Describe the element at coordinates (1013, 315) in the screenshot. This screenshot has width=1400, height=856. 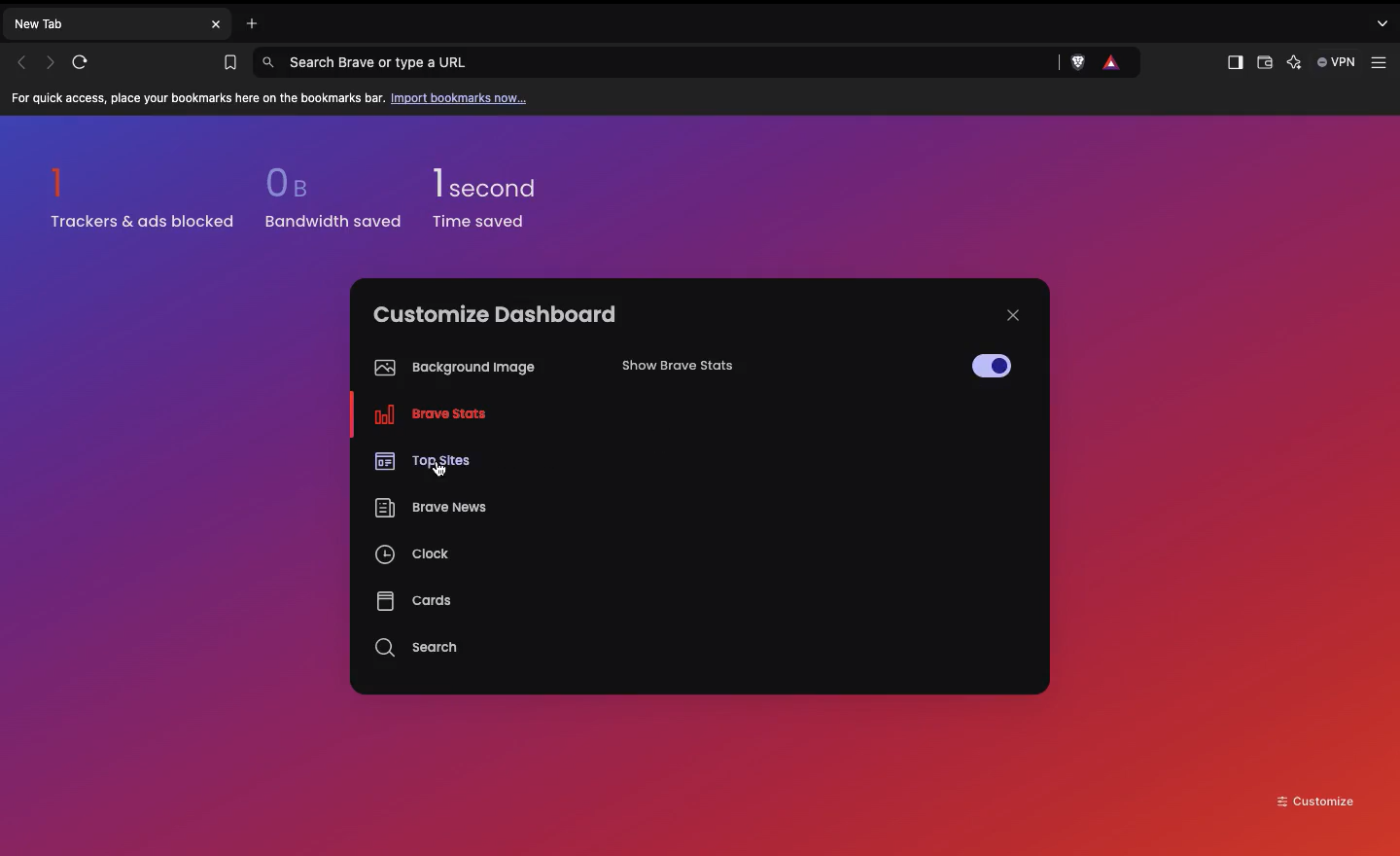
I see `Close` at that location.